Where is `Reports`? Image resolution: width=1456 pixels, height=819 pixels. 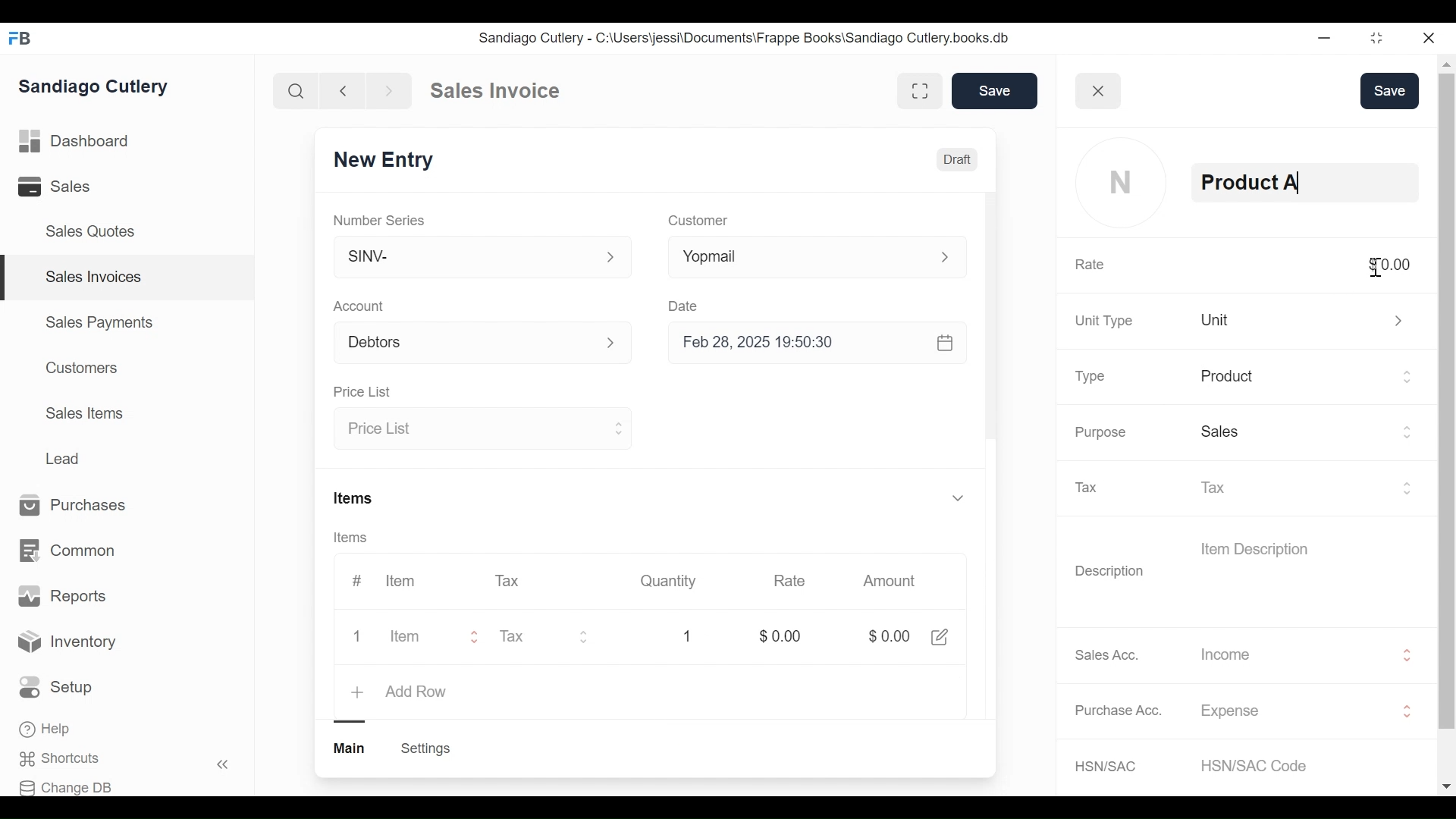 Reports is located at coordinates (62, 596).